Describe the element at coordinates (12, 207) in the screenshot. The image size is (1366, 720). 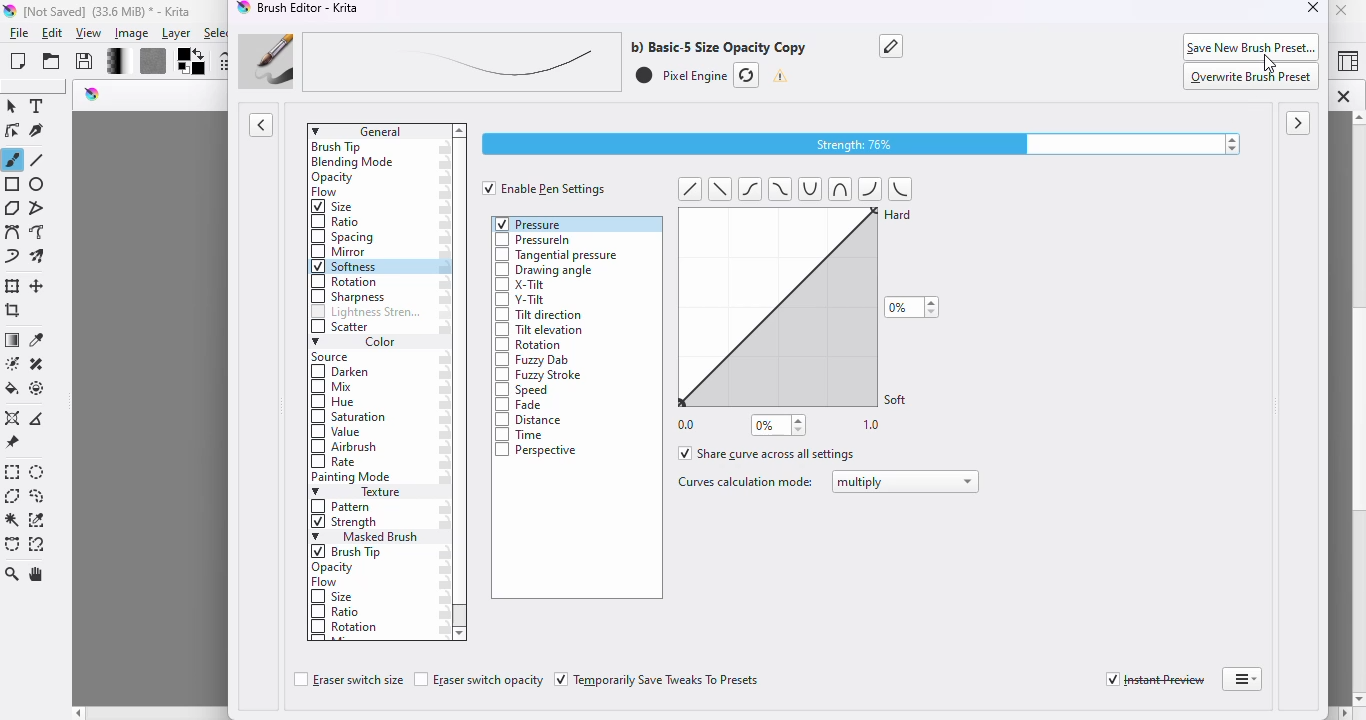
I see `polygon tool` at that location.